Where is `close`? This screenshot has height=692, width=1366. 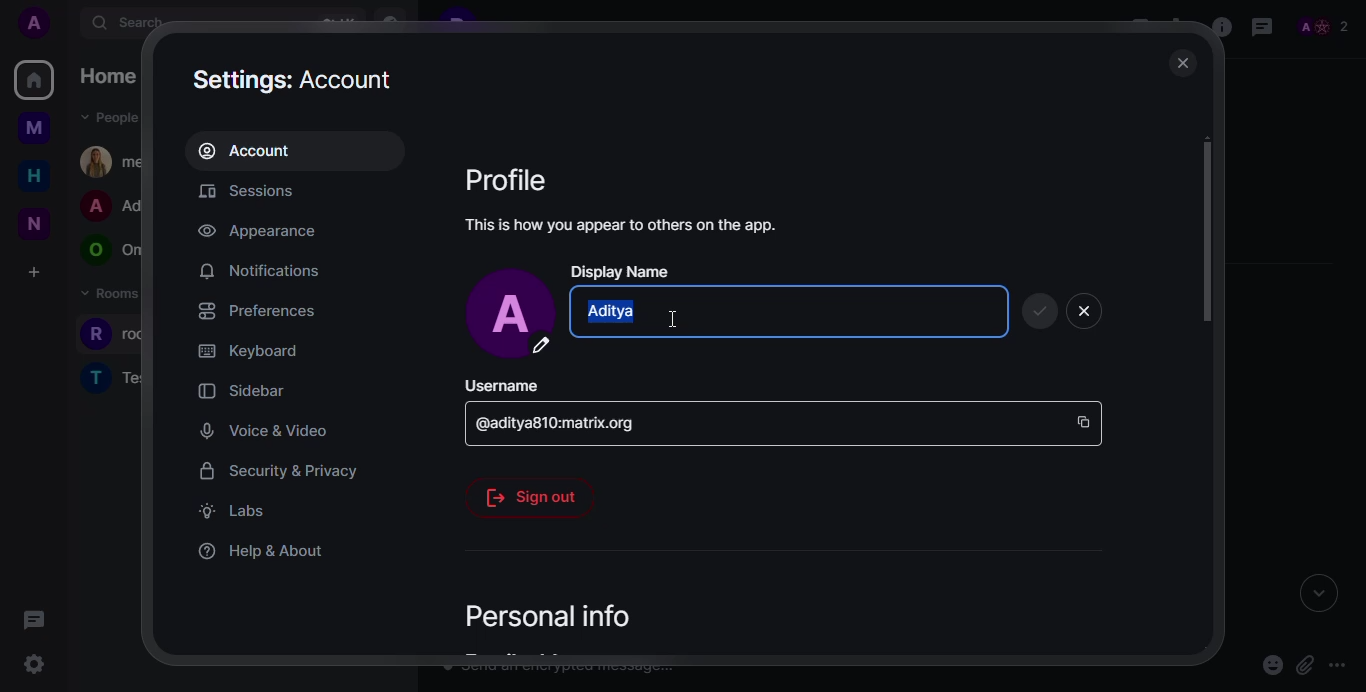
close is located at coordinates (1183, 61).